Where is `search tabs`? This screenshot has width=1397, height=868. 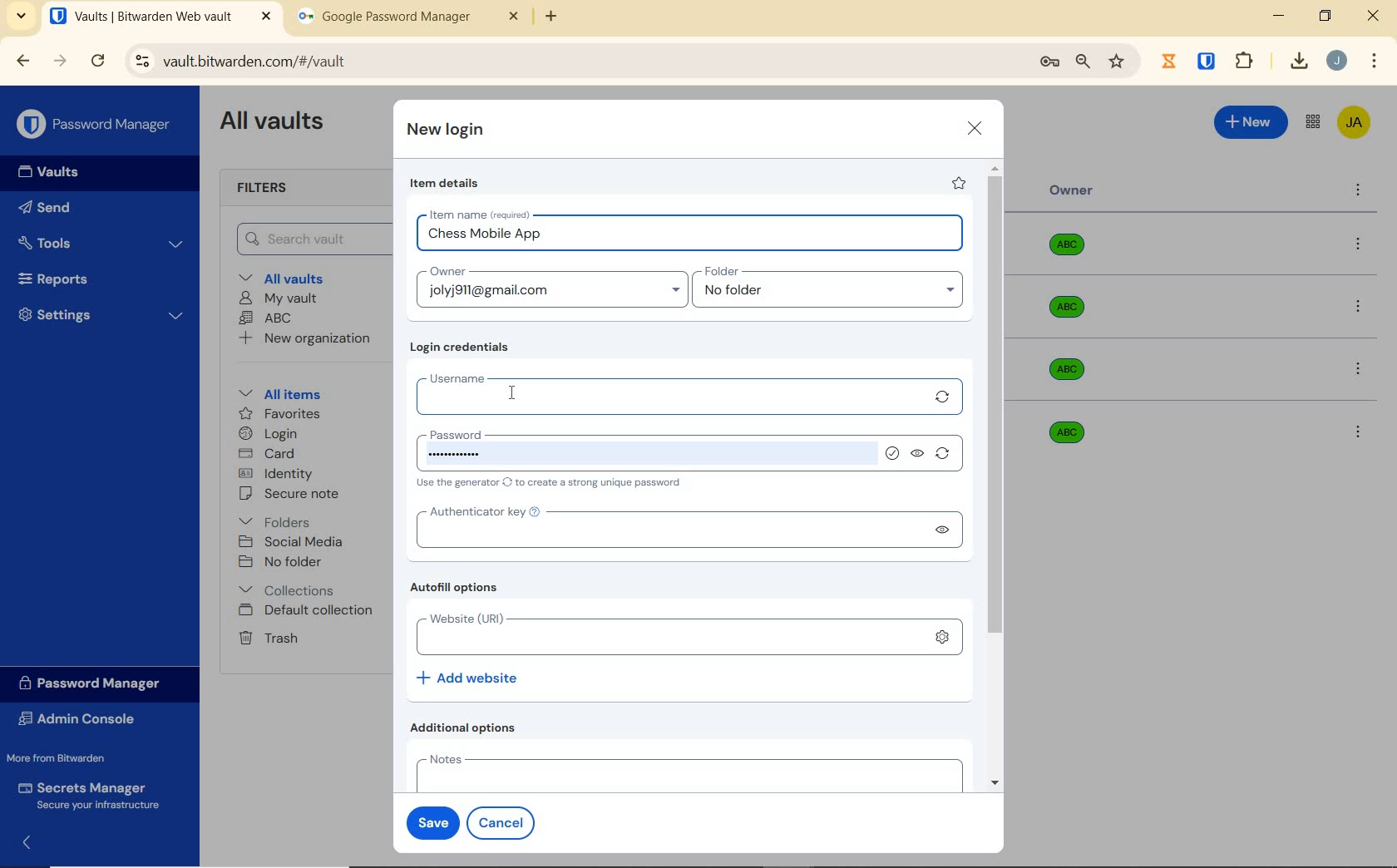
search tabs is located at coordinates (21, 18).